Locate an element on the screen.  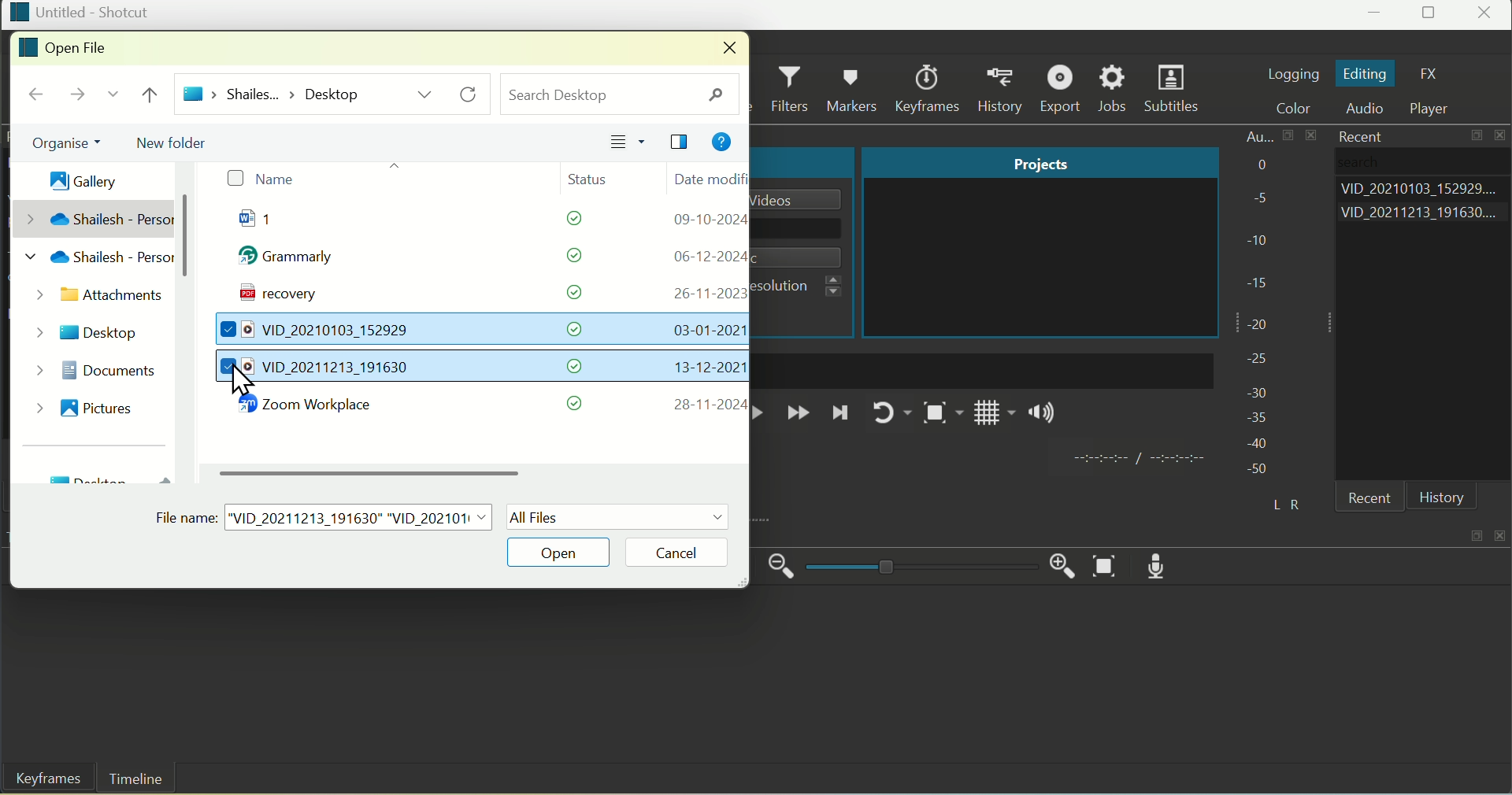
1 is located at coordinates (272, 222).